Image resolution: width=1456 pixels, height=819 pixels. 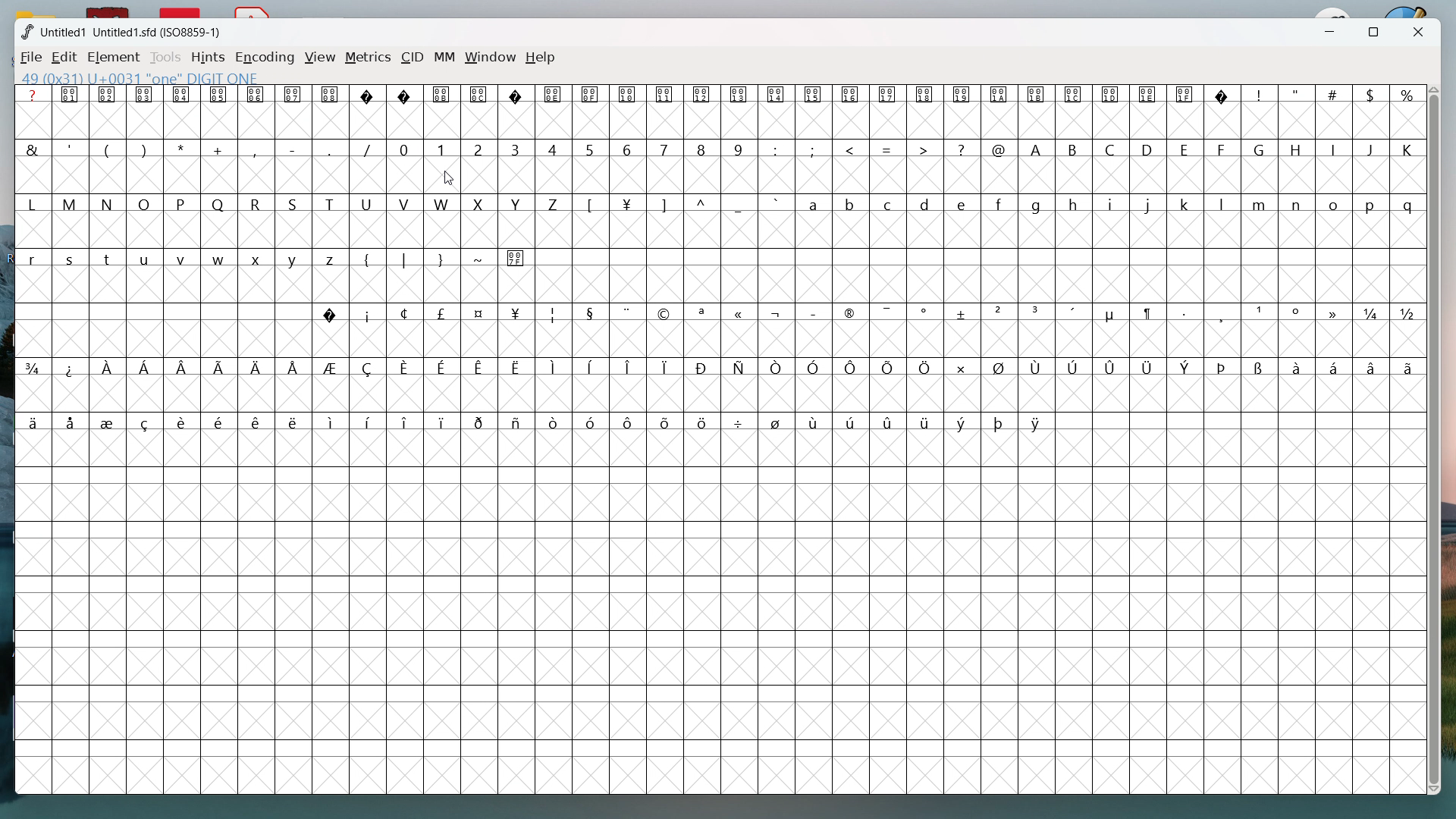 I want to click on f, so click(x=1001, y=202).